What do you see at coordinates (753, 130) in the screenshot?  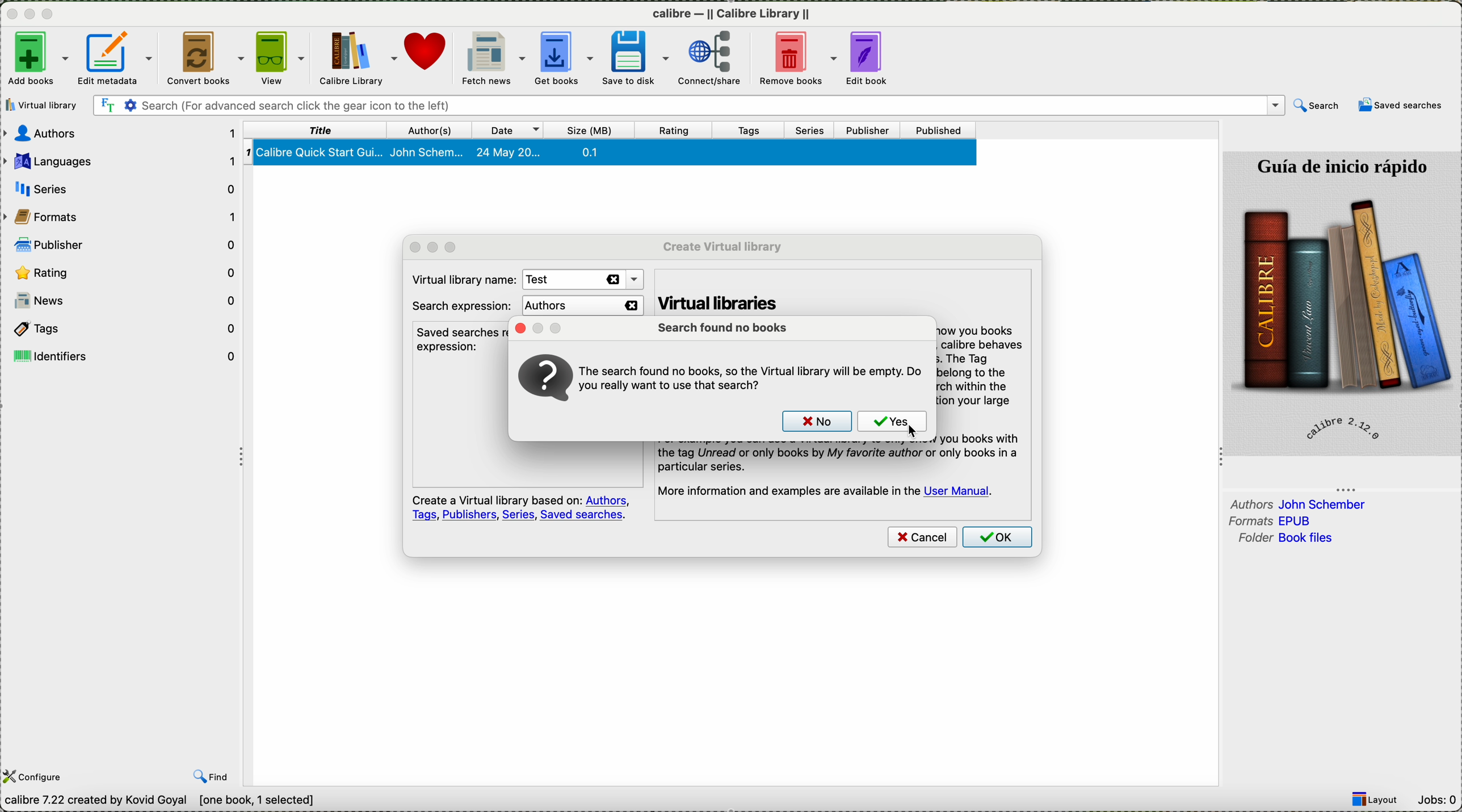 I see `tags` at bounding box center [753, 130].